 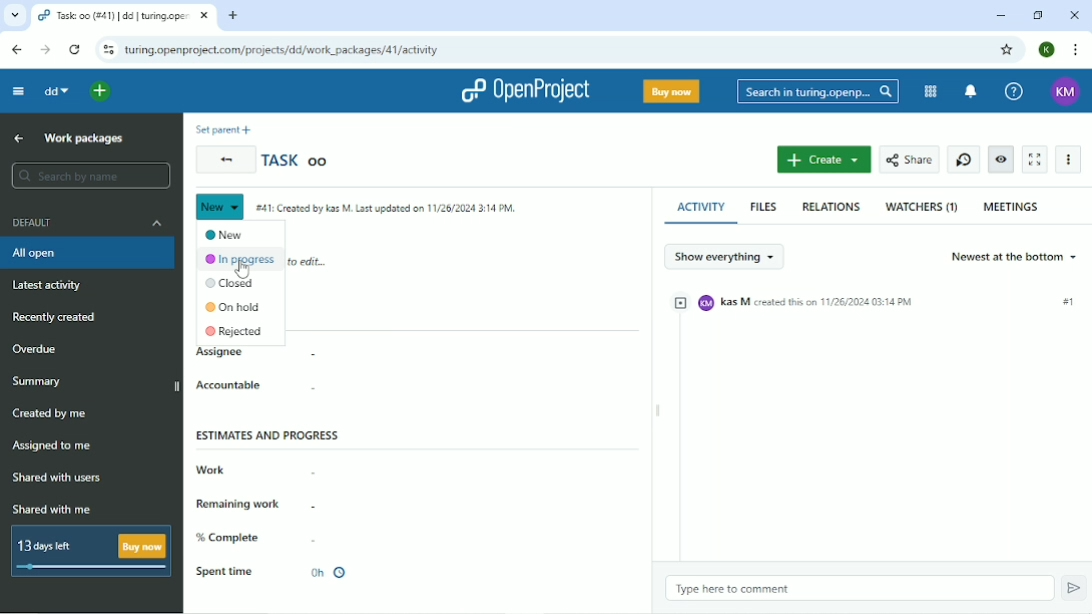 What do you see at coordinates (40, 349) in the screenshot?
I see `Overdue` at bounding box center [40, 349].